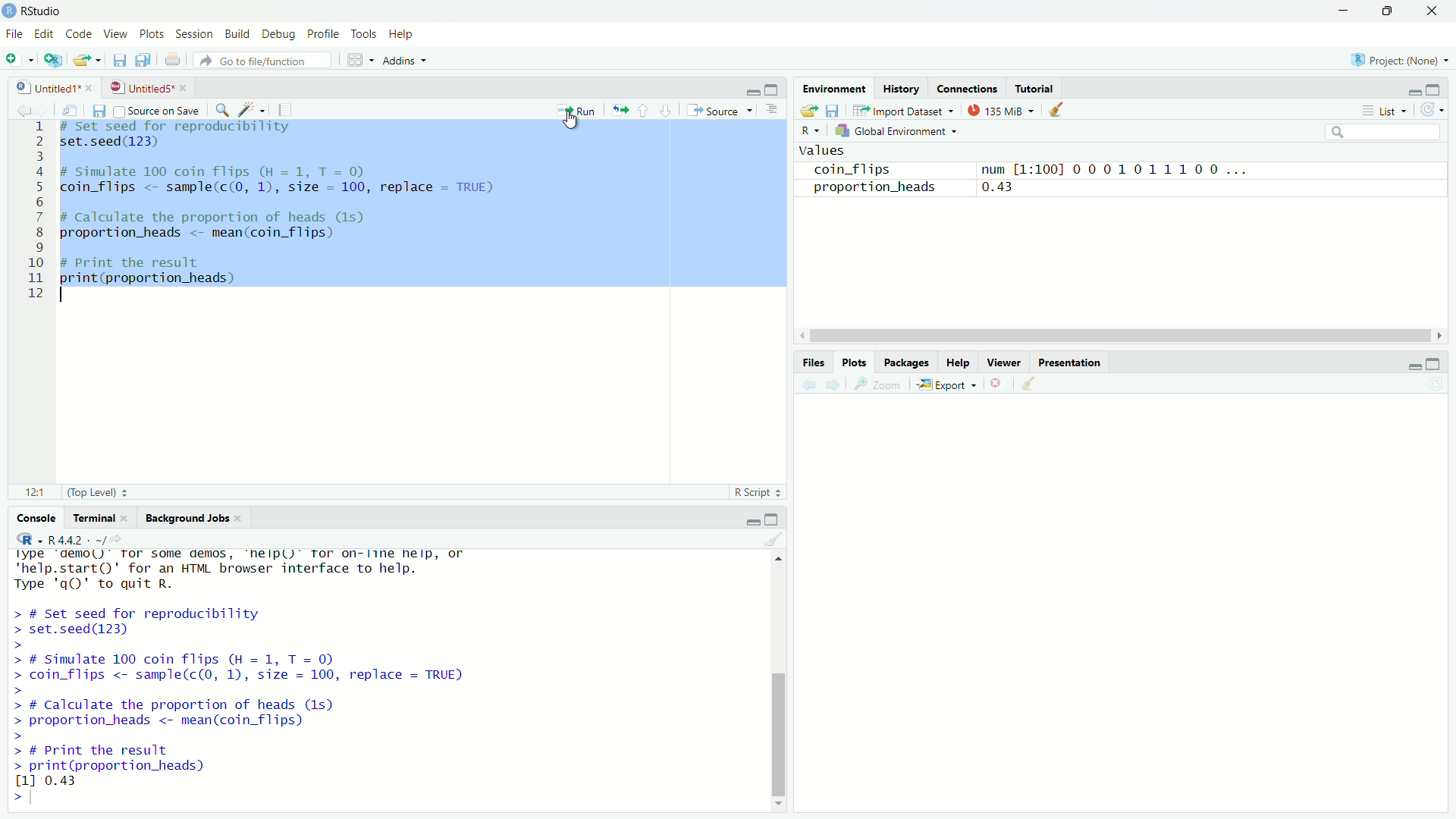 This screenshot has height=819, width=1456. I want to click on tools, so click(364, 33).